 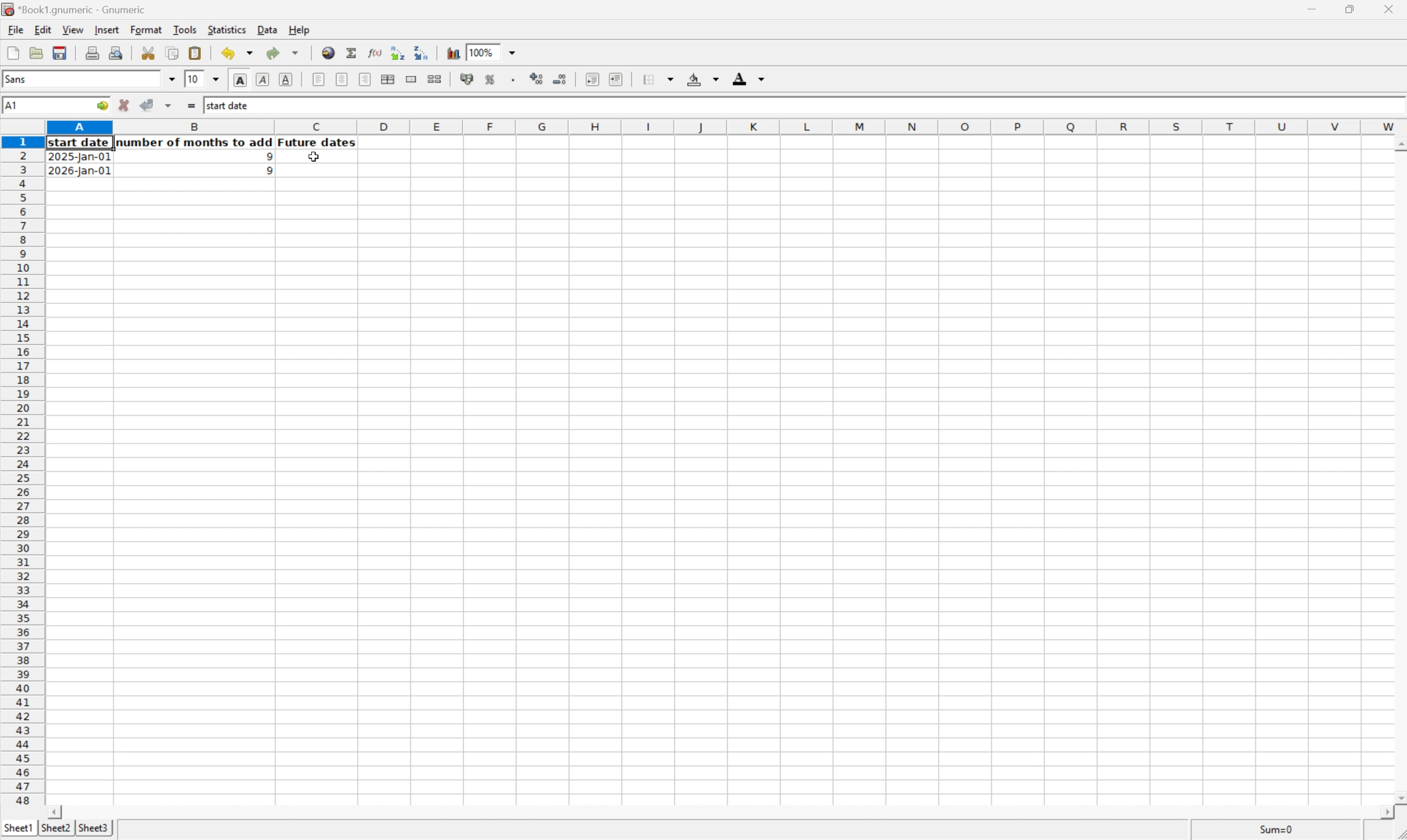 What do you see at coordinates (196, 53) in the screenshot?
I see `Paste a clipboard` at bounding box center [196, 53].